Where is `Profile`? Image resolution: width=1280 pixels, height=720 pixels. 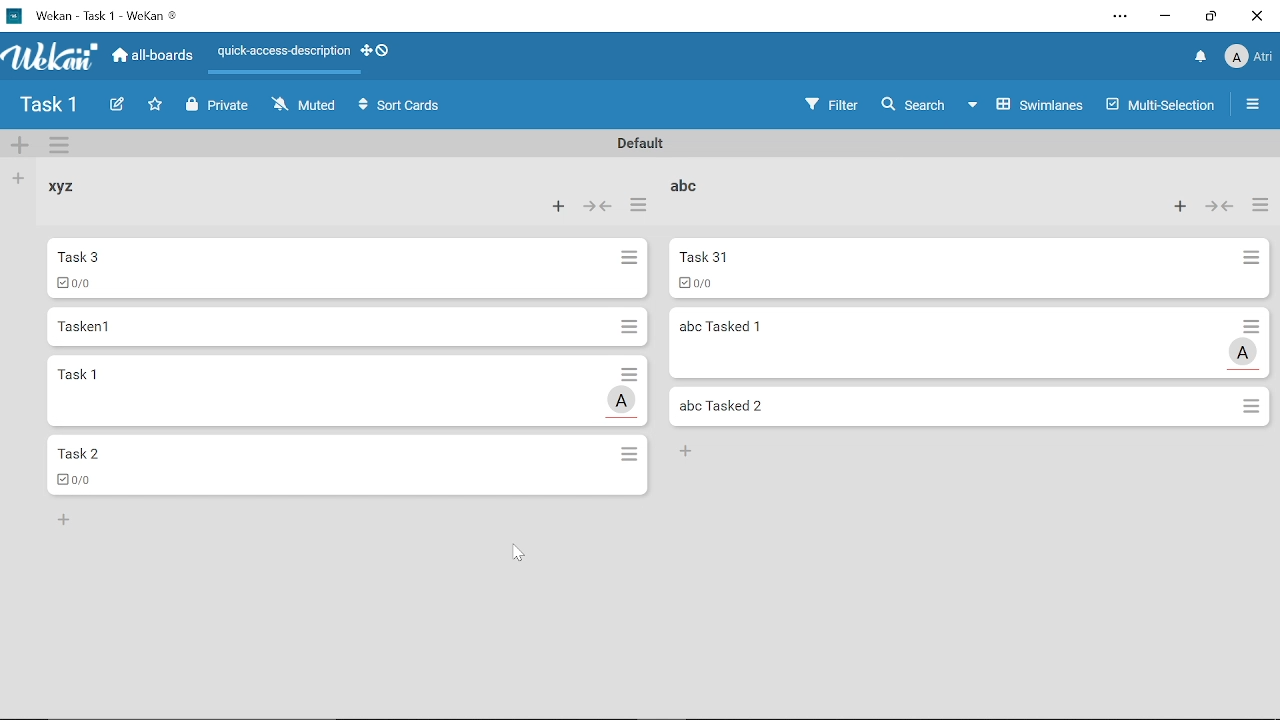 Profile is located at coordinates (1248, 59).